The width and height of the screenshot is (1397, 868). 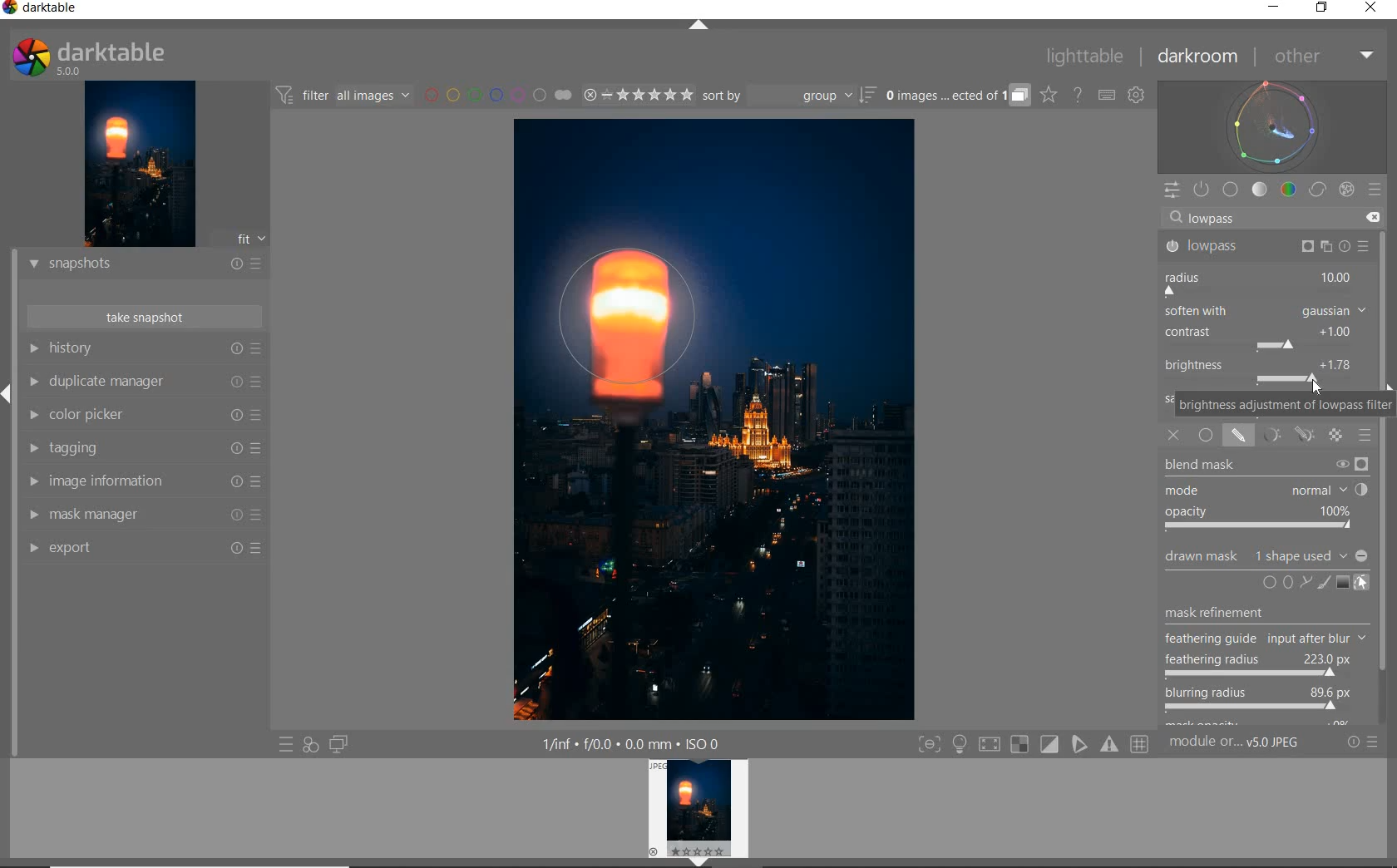 What do you see at coordinates (1346, 189) in the screenshot?
I see `EFFECT` at bounding box center [1346, 189].